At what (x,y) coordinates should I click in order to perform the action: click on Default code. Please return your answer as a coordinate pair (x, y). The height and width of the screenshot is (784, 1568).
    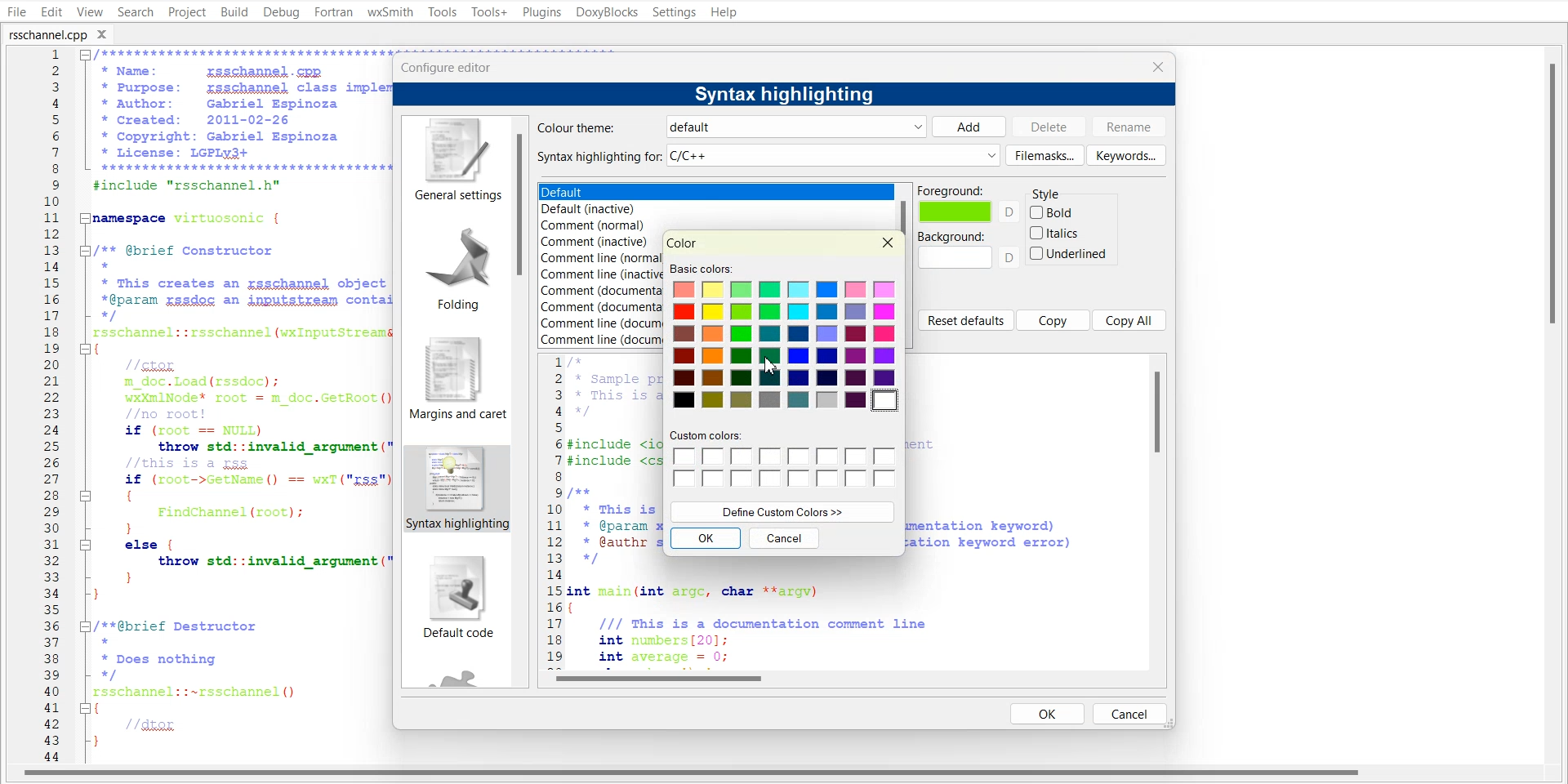
    Looking at the image, I should click on (457, 600).